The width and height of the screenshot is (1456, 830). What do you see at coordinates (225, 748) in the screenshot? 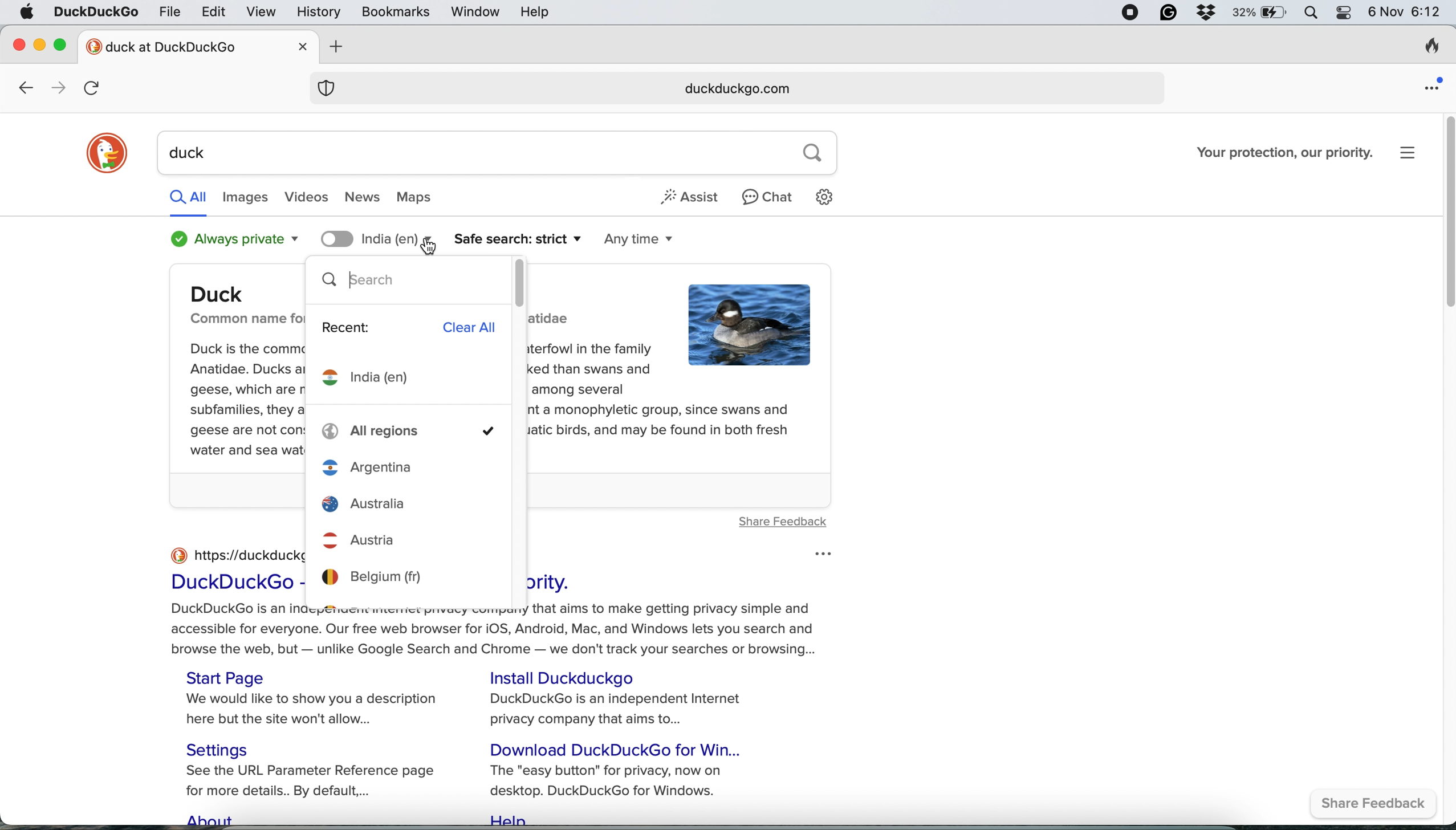
I see `Settings` at bounding box center [225, 748].